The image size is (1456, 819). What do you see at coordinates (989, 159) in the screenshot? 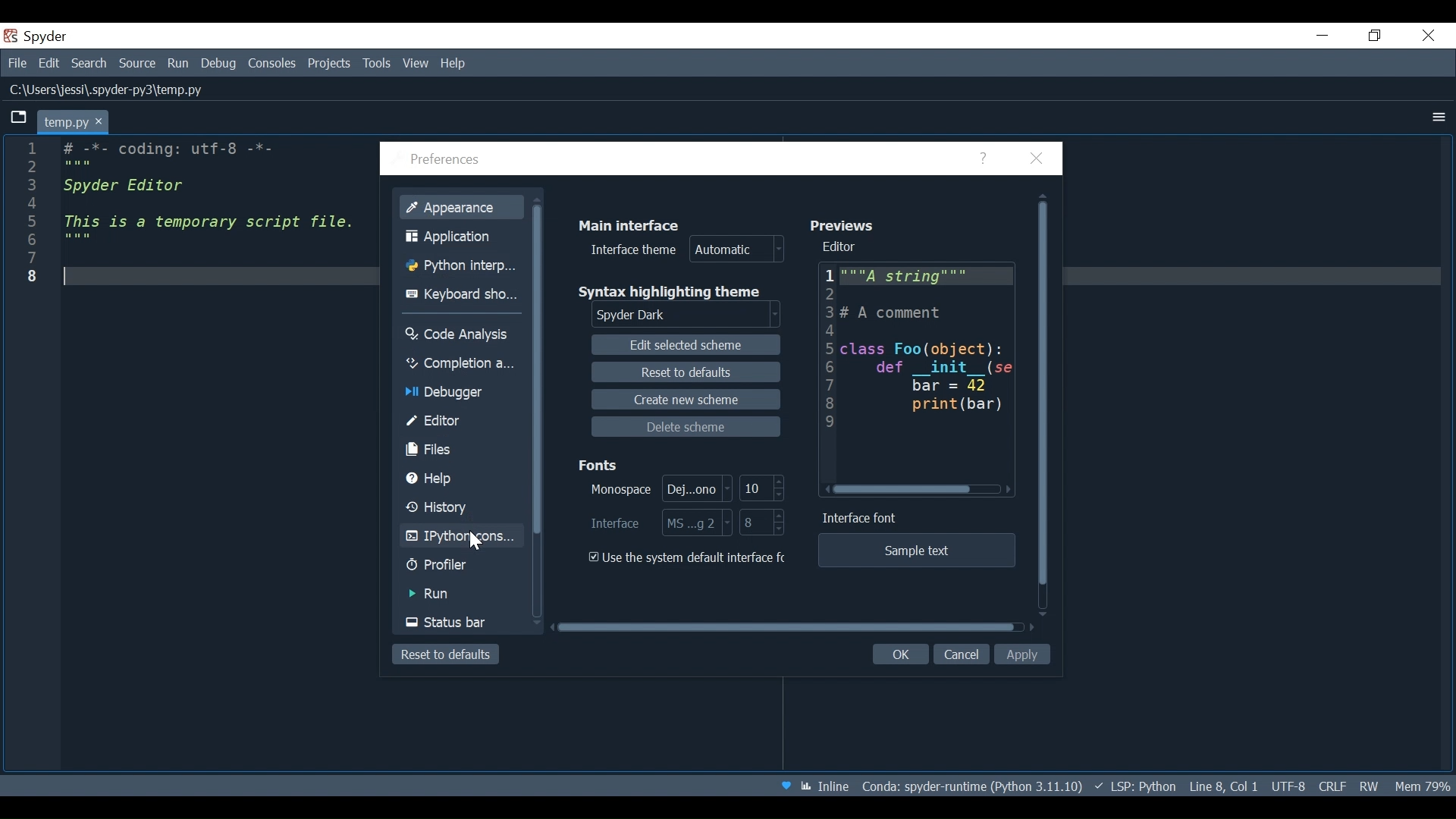
I see `Help` at bounding box center [989, 159].